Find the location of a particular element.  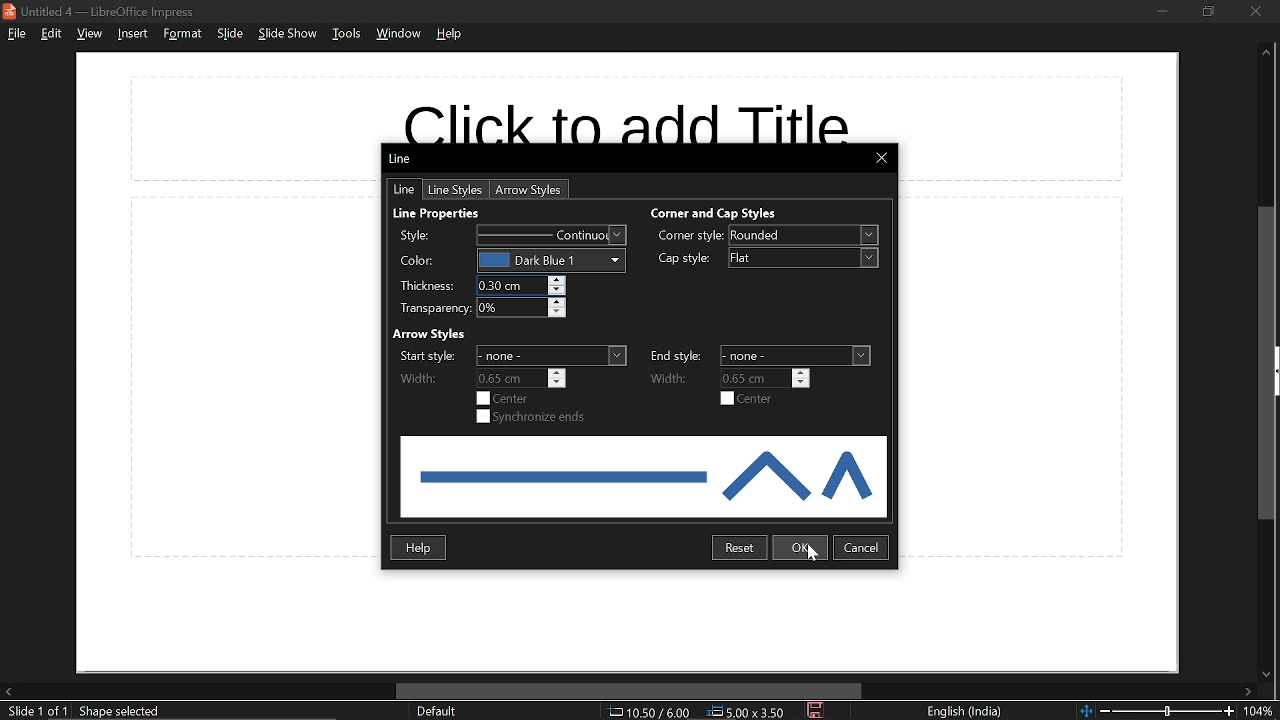

slide show is located at coordinates (286, 34).